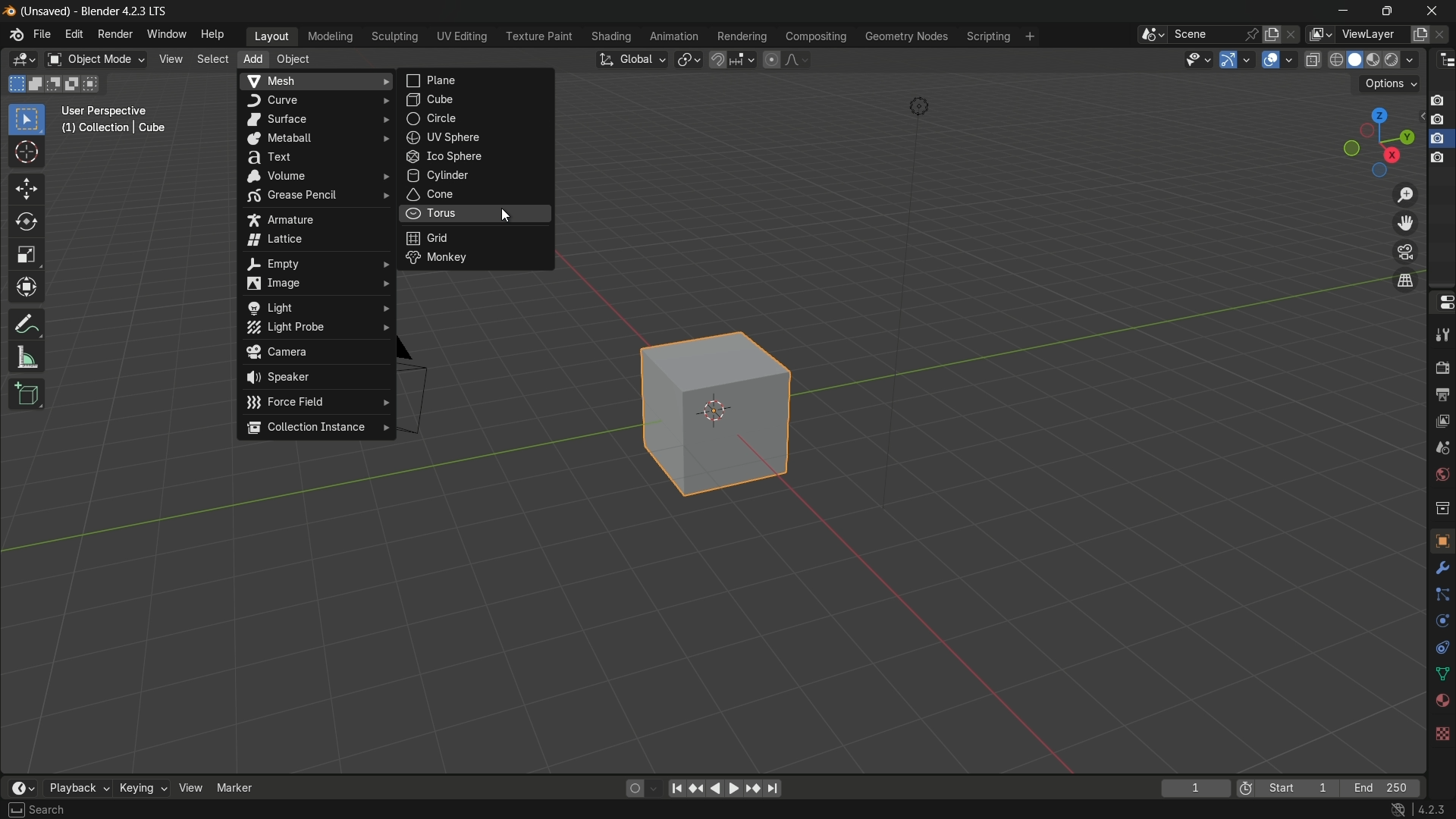 The width and height of the screenshot is (1456, 819). What do you see at coordinates (215, 35) in the screenshot?
I see `help menu` at bounding box center [215, 35].